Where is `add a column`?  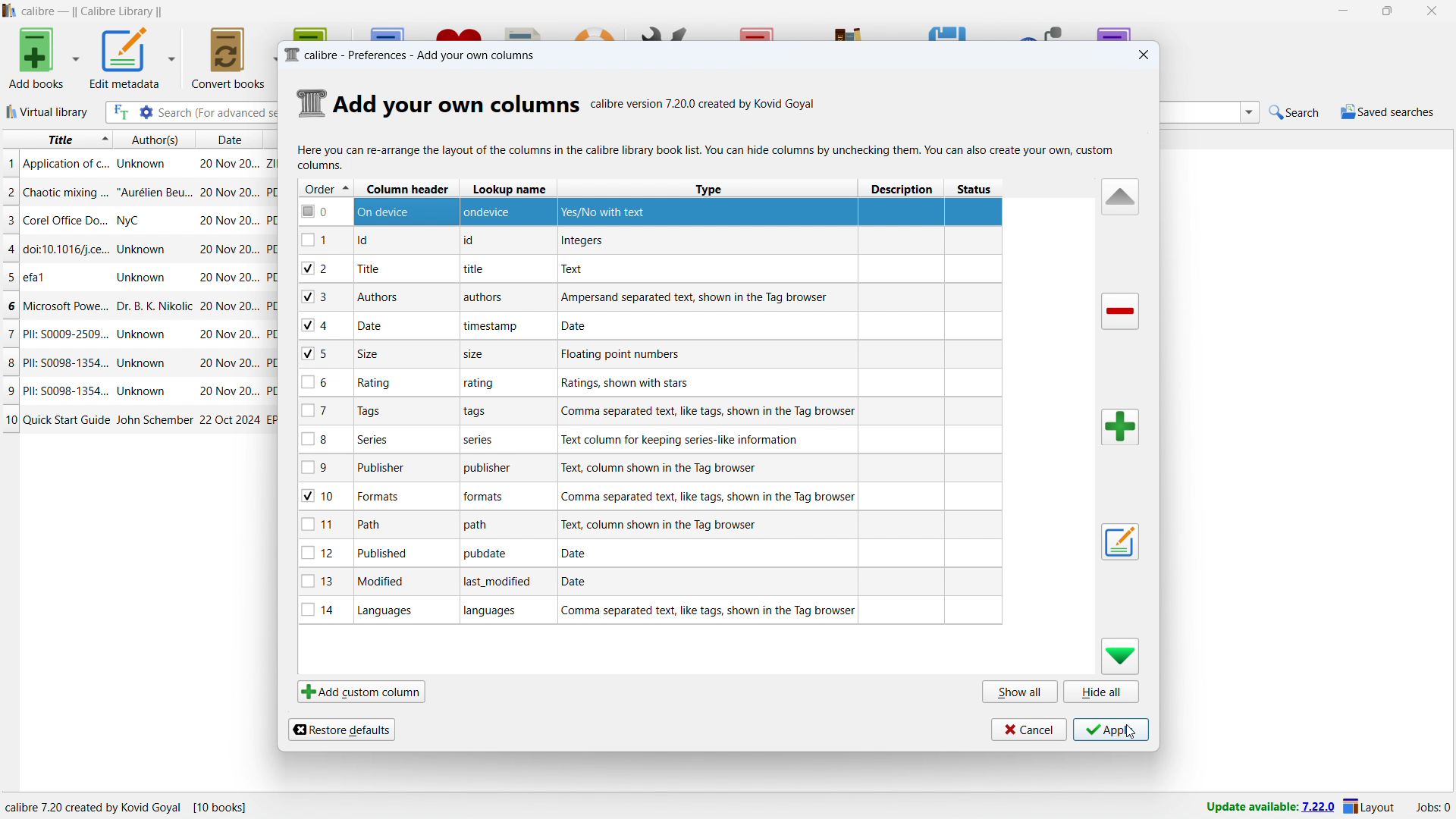
add a column is located at coordinates (1119, 427).